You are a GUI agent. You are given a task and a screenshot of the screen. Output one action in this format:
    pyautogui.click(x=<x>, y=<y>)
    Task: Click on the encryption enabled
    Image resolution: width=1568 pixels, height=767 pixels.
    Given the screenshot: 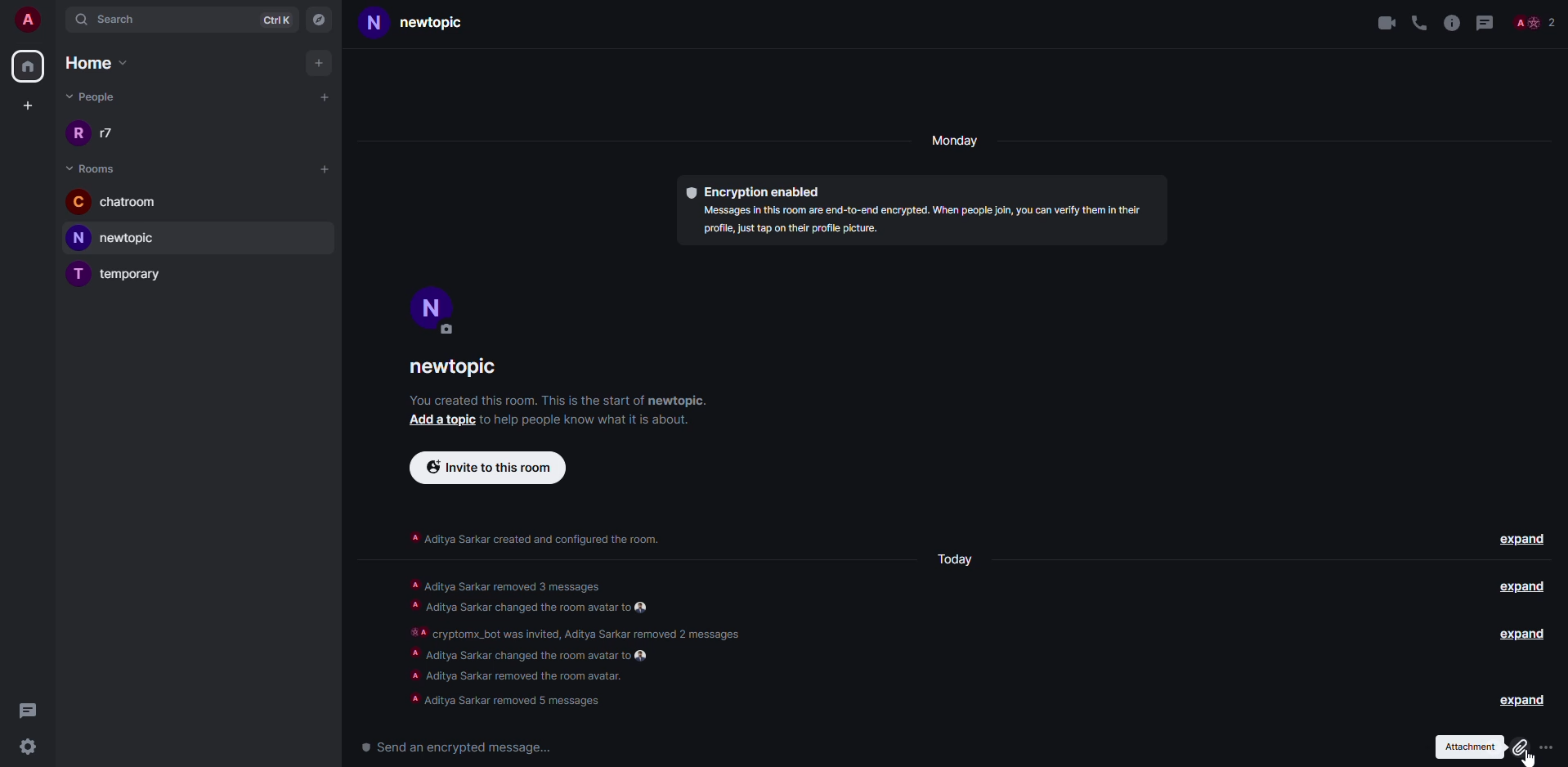 What is the action you would take?
    pyautogui.click(x=755, y=191)
    